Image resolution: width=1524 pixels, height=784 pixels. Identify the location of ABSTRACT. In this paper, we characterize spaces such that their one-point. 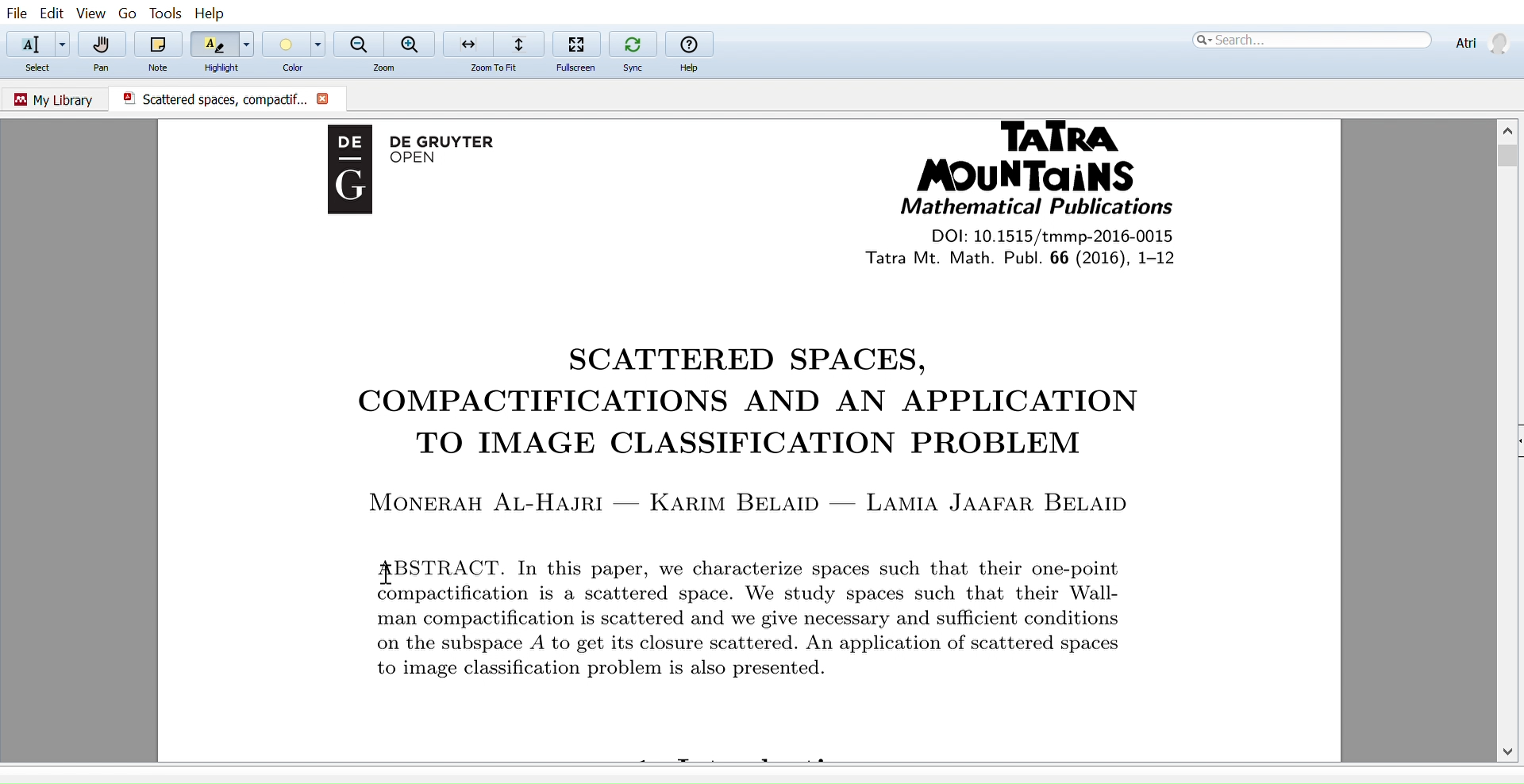
(777, 564).